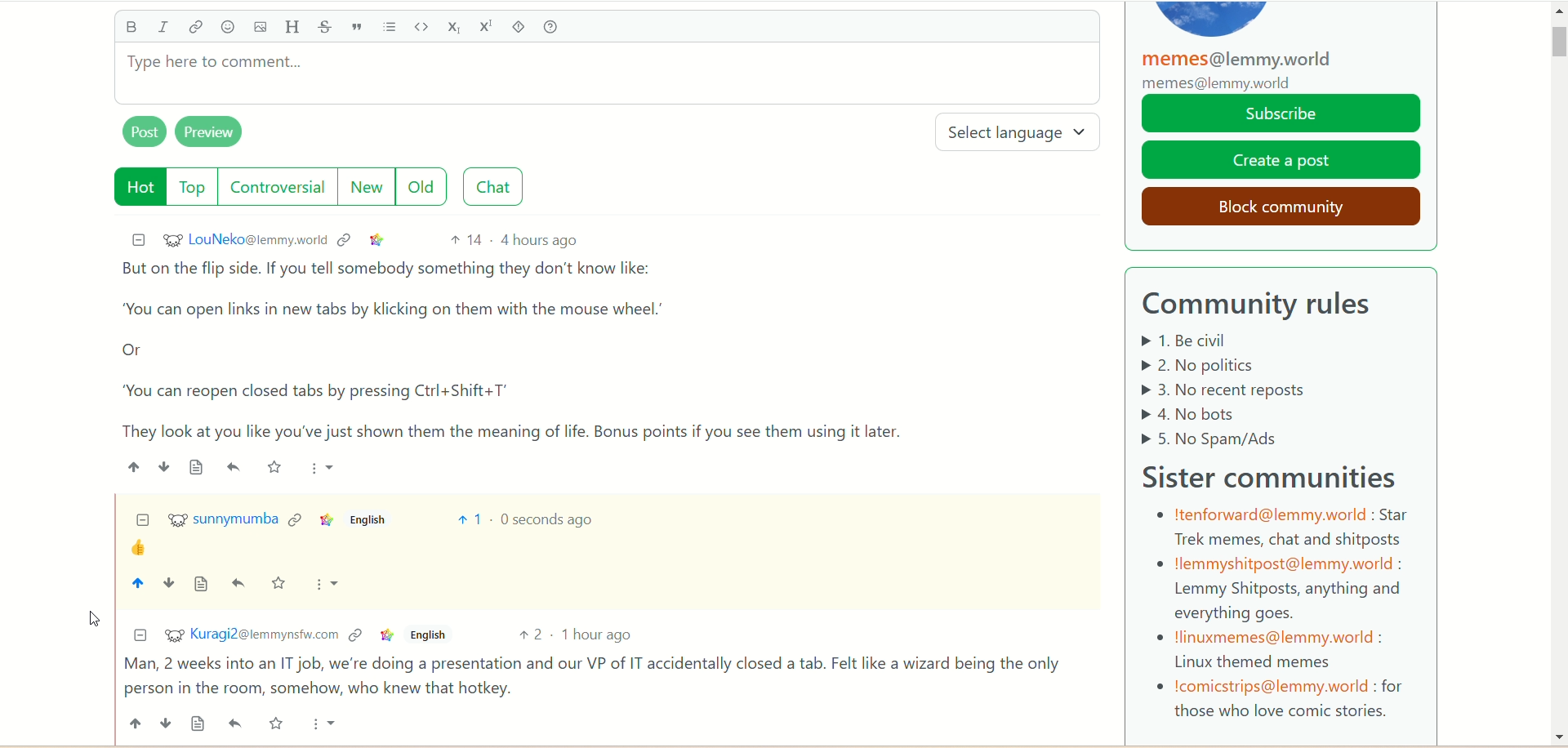  What do you see at coordinates (140, 134) in the screenshot?
I see `post` at bounding box center [140, 134].